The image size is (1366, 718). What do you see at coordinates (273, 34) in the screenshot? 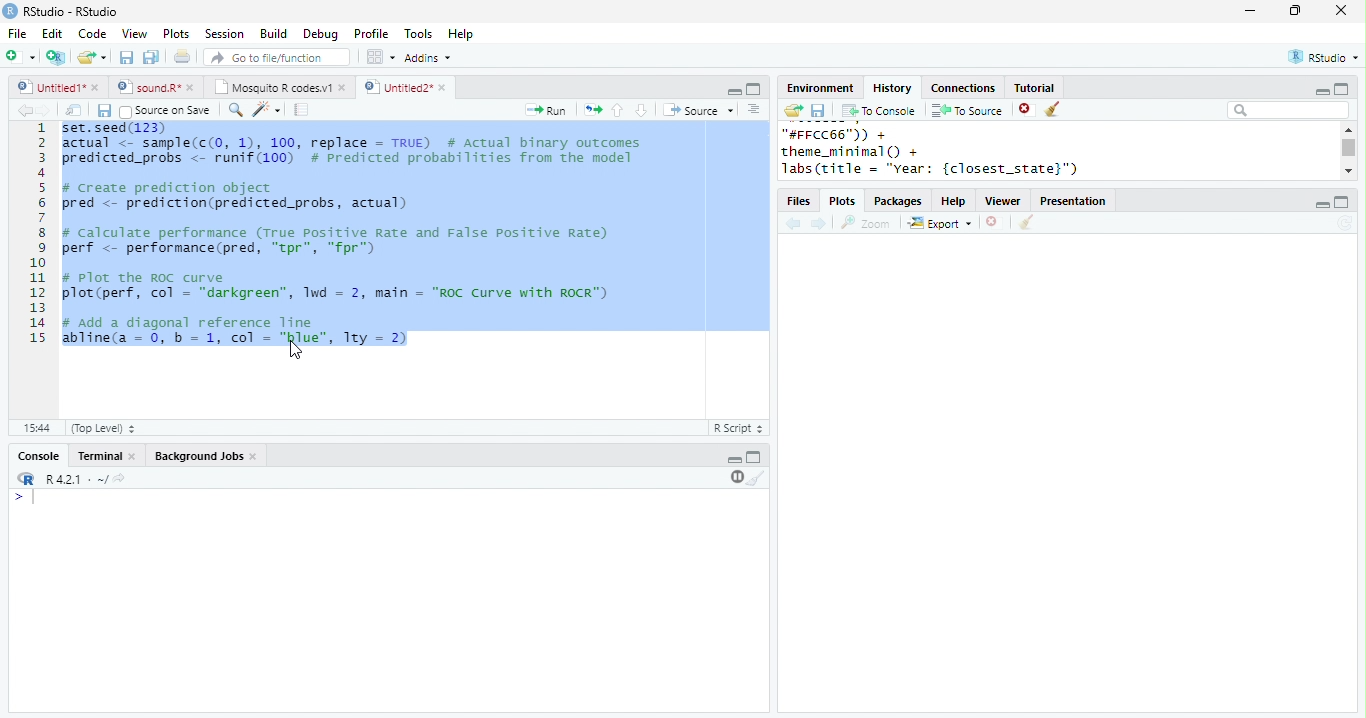
I see `Build` at bounding box center [273, 34].